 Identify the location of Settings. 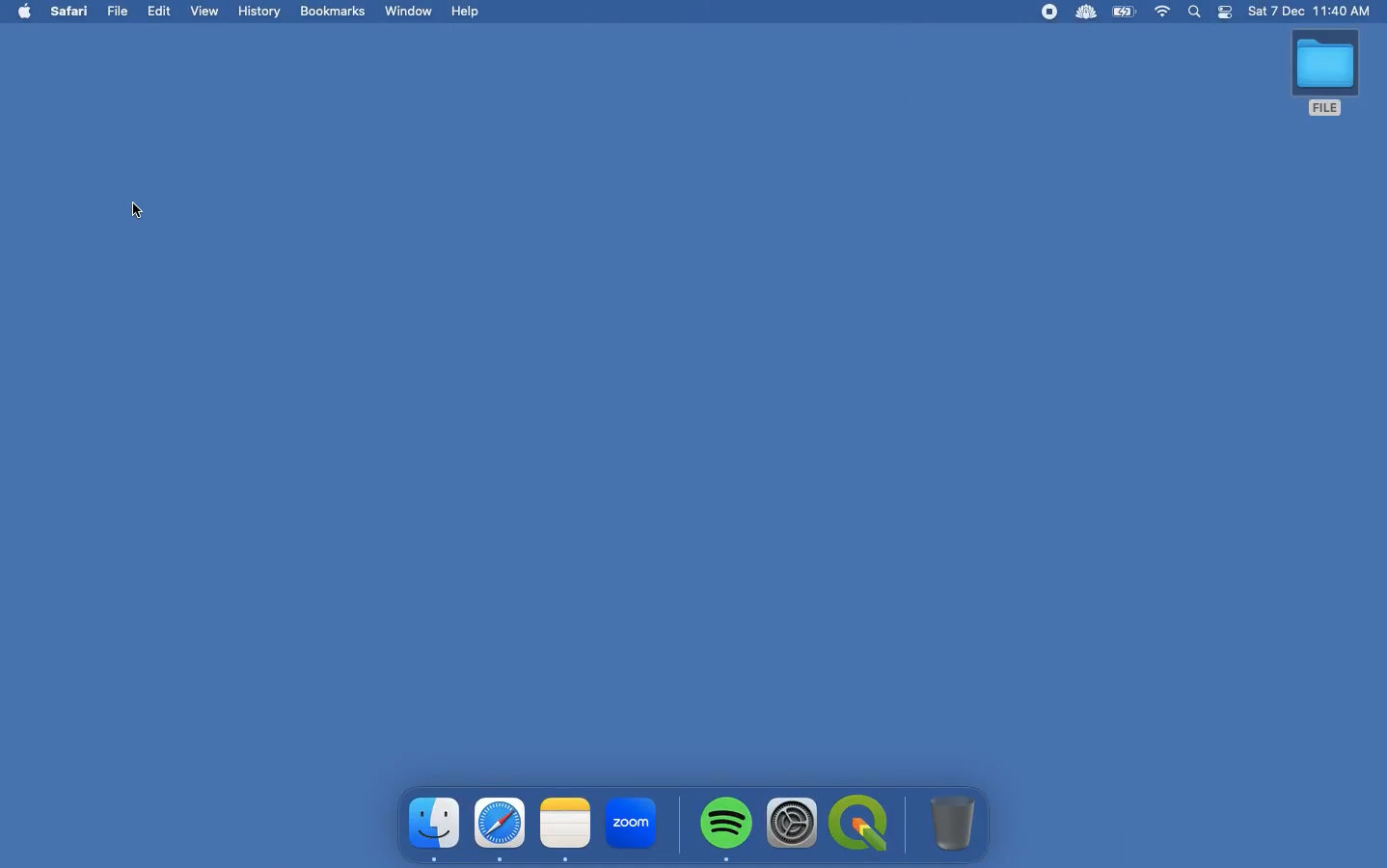
(794, 826).